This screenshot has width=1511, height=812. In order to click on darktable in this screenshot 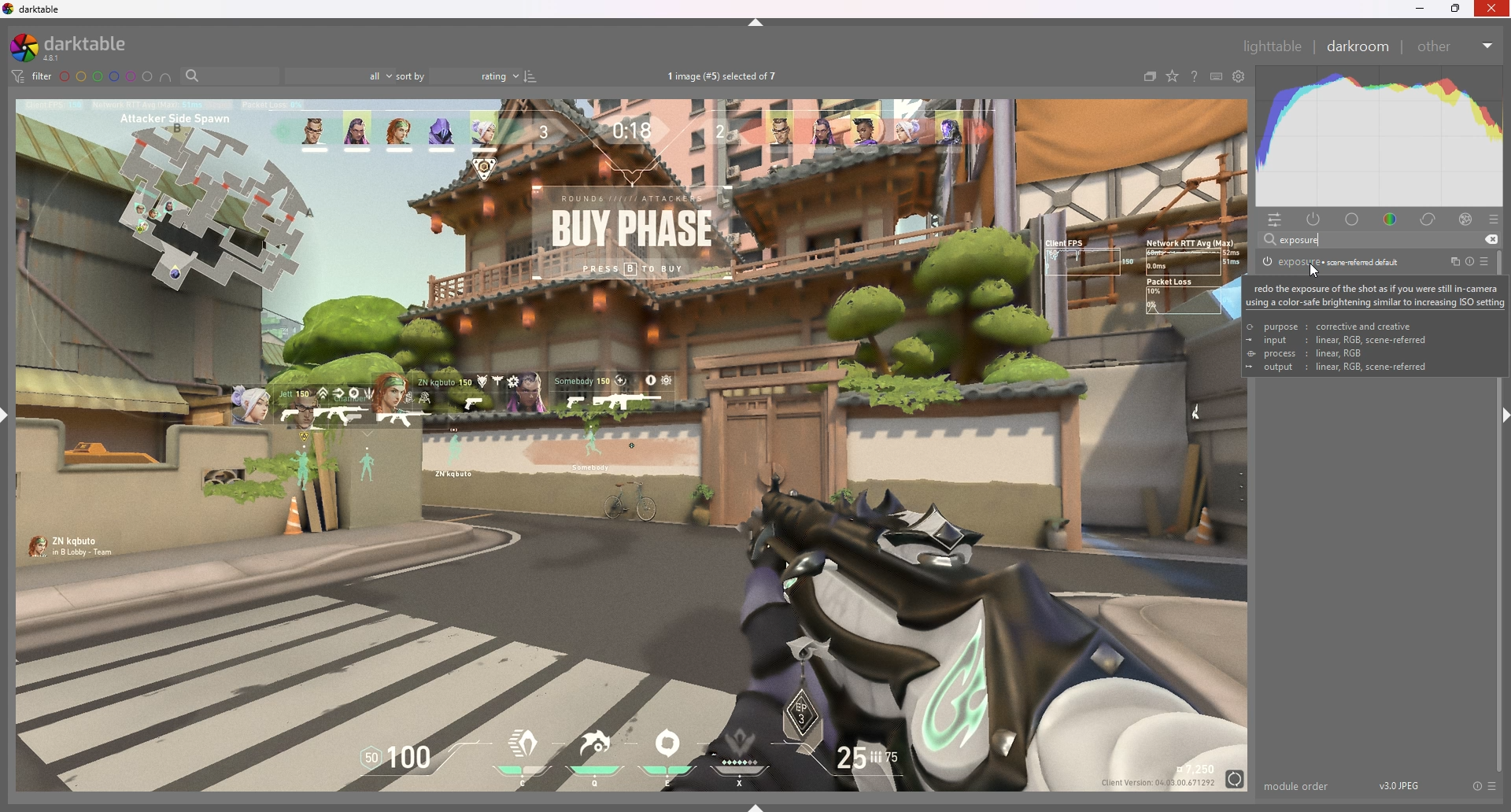, I will do `click(35, 9)`.